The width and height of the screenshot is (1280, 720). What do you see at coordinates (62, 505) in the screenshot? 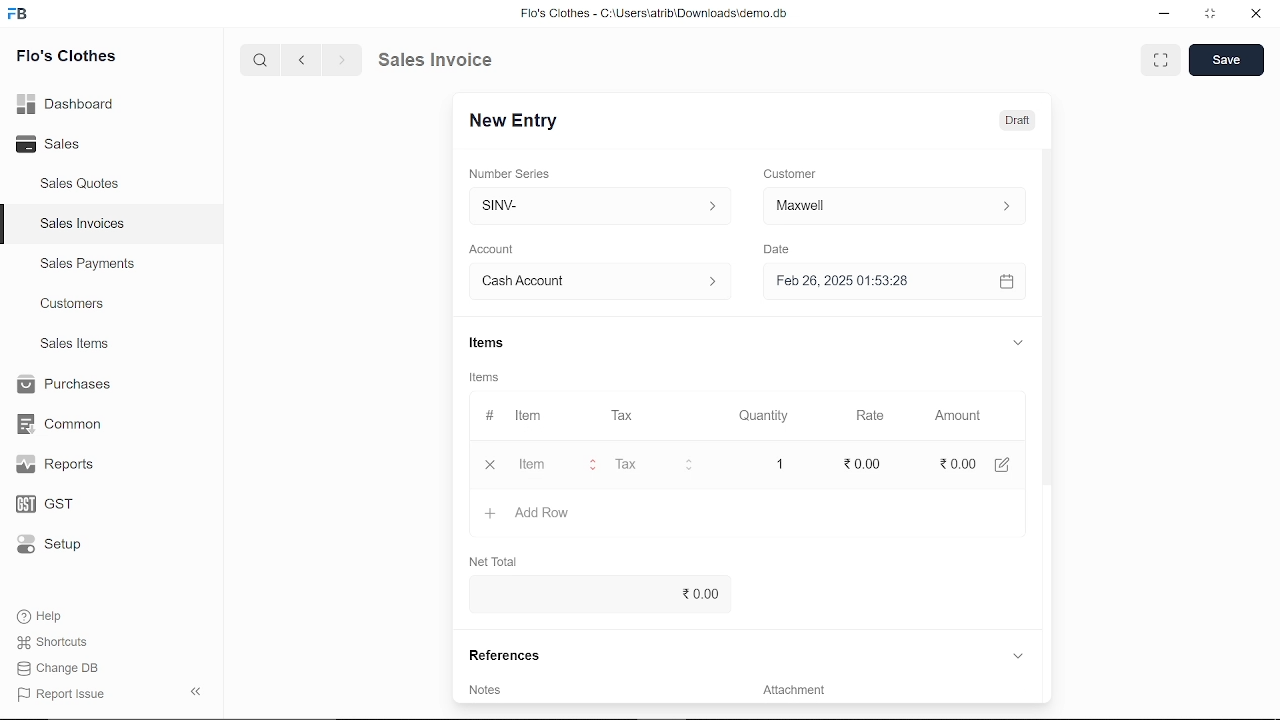
I see `GST` at bounding box center [62, 505].